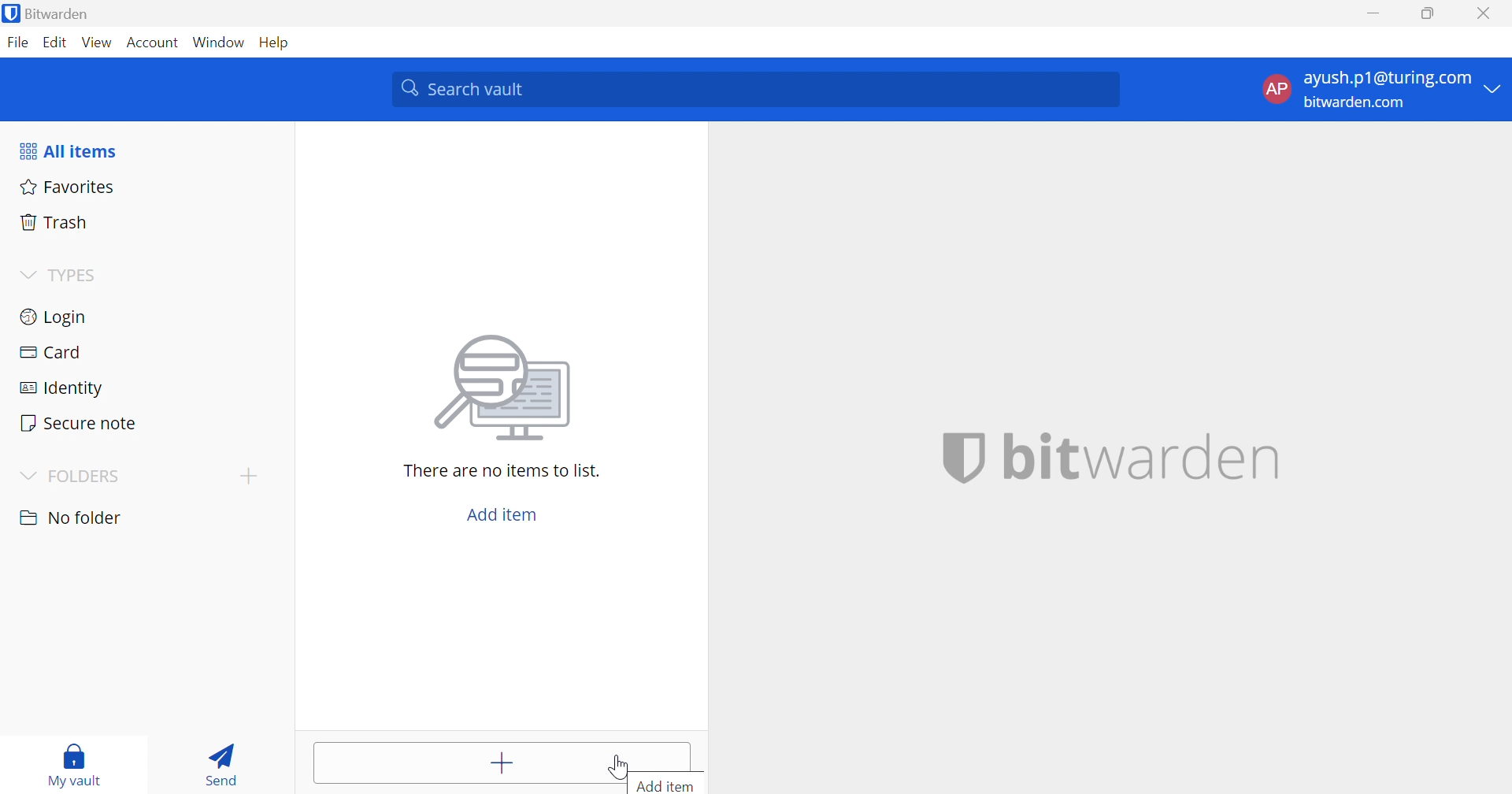 This screenshot has height=794, width=1512. Describe the element at coordinates (469, 762) in the screenshot. I see `Add item` at that location.